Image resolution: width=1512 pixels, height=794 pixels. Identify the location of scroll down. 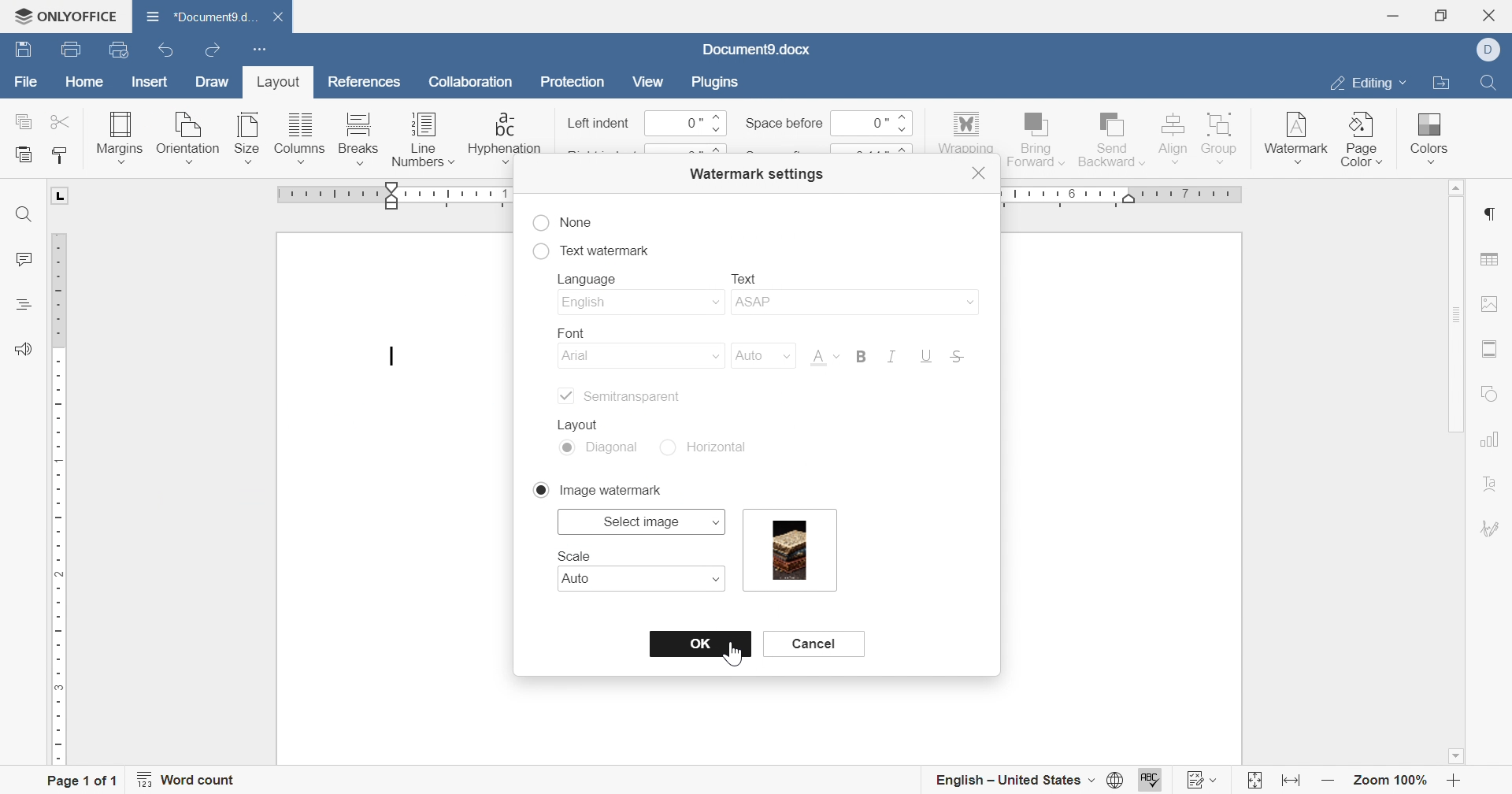
(1455, 756).